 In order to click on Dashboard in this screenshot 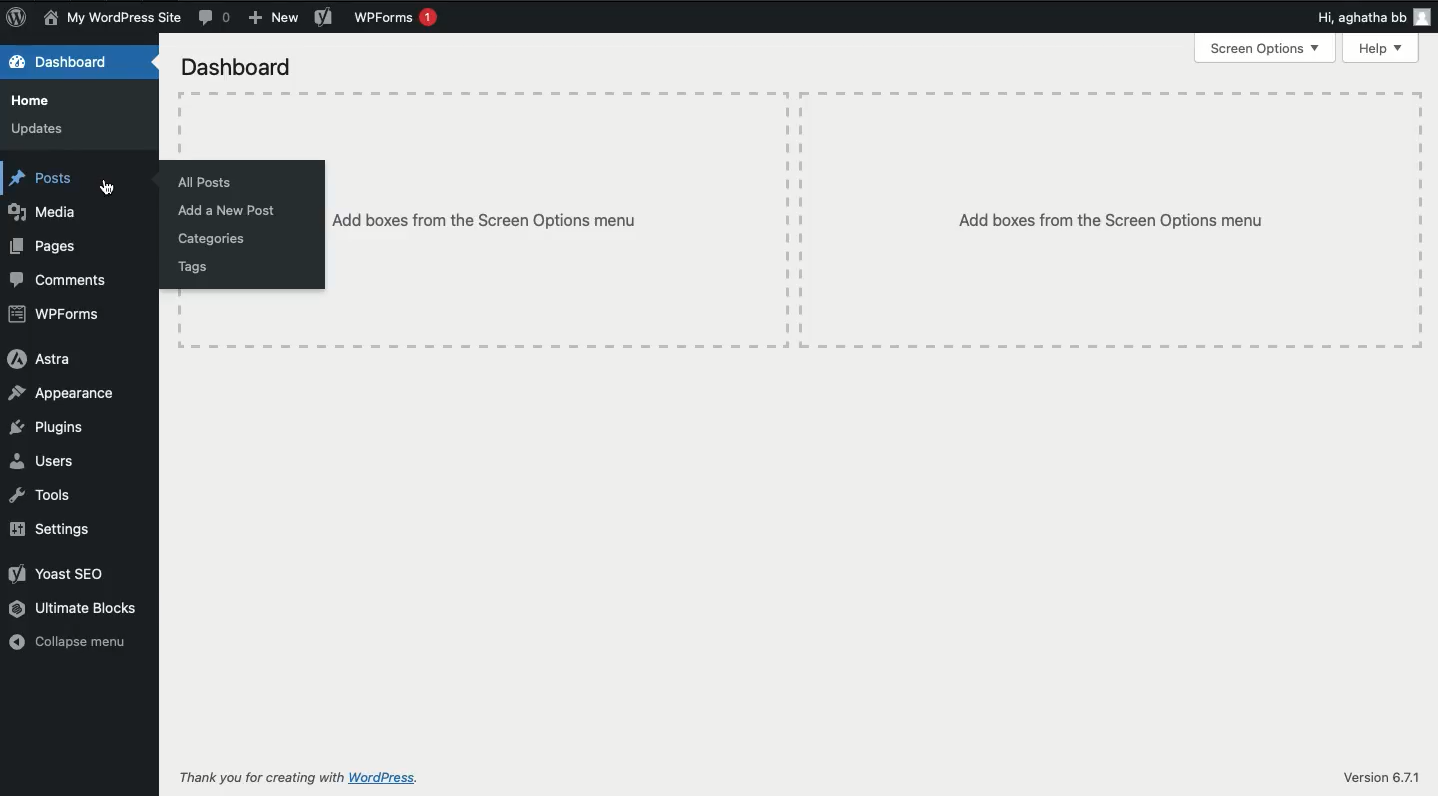, I will do `click(61, 63)`.